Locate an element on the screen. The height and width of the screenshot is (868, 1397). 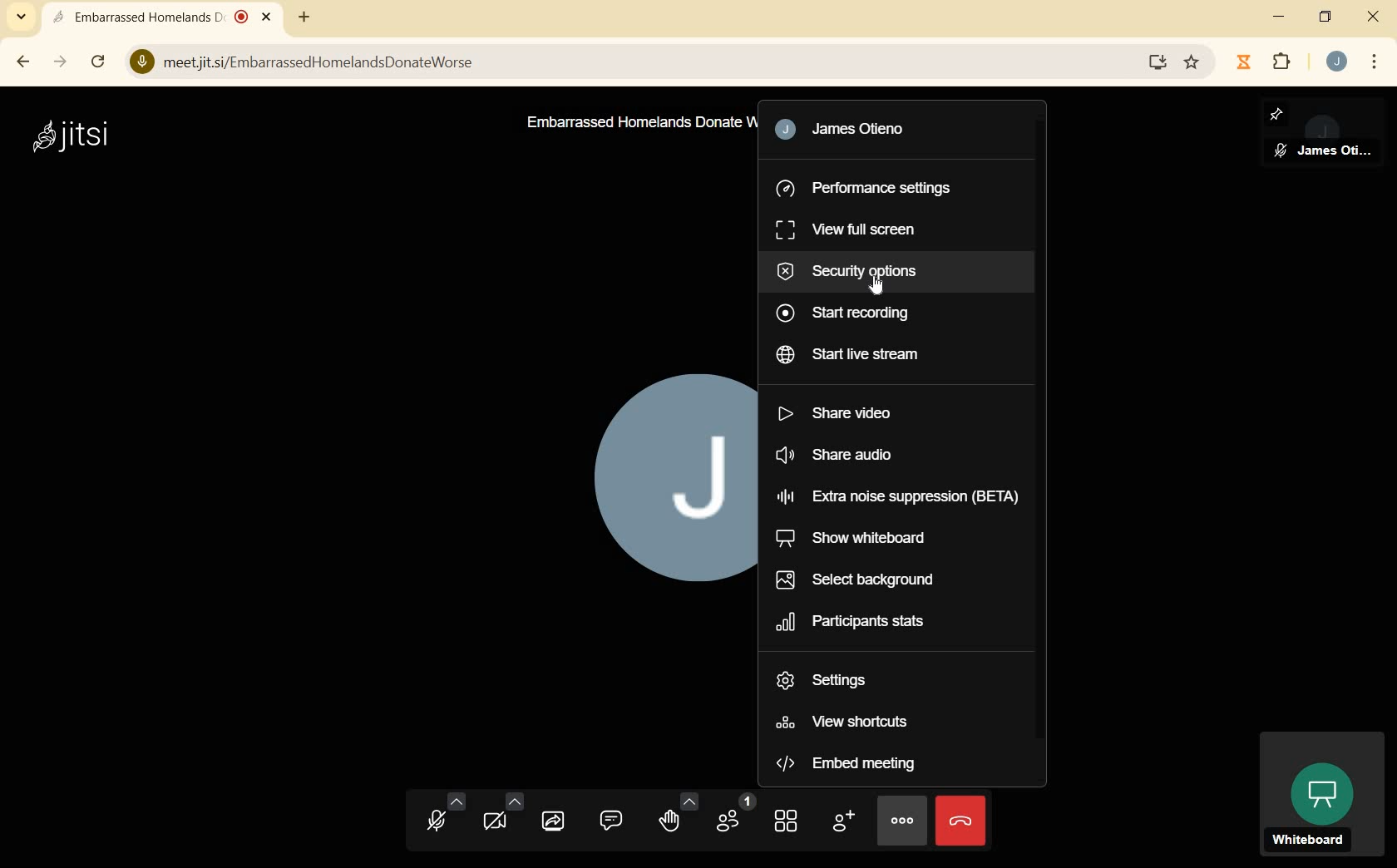
select background is located at coordinates (865, 578).